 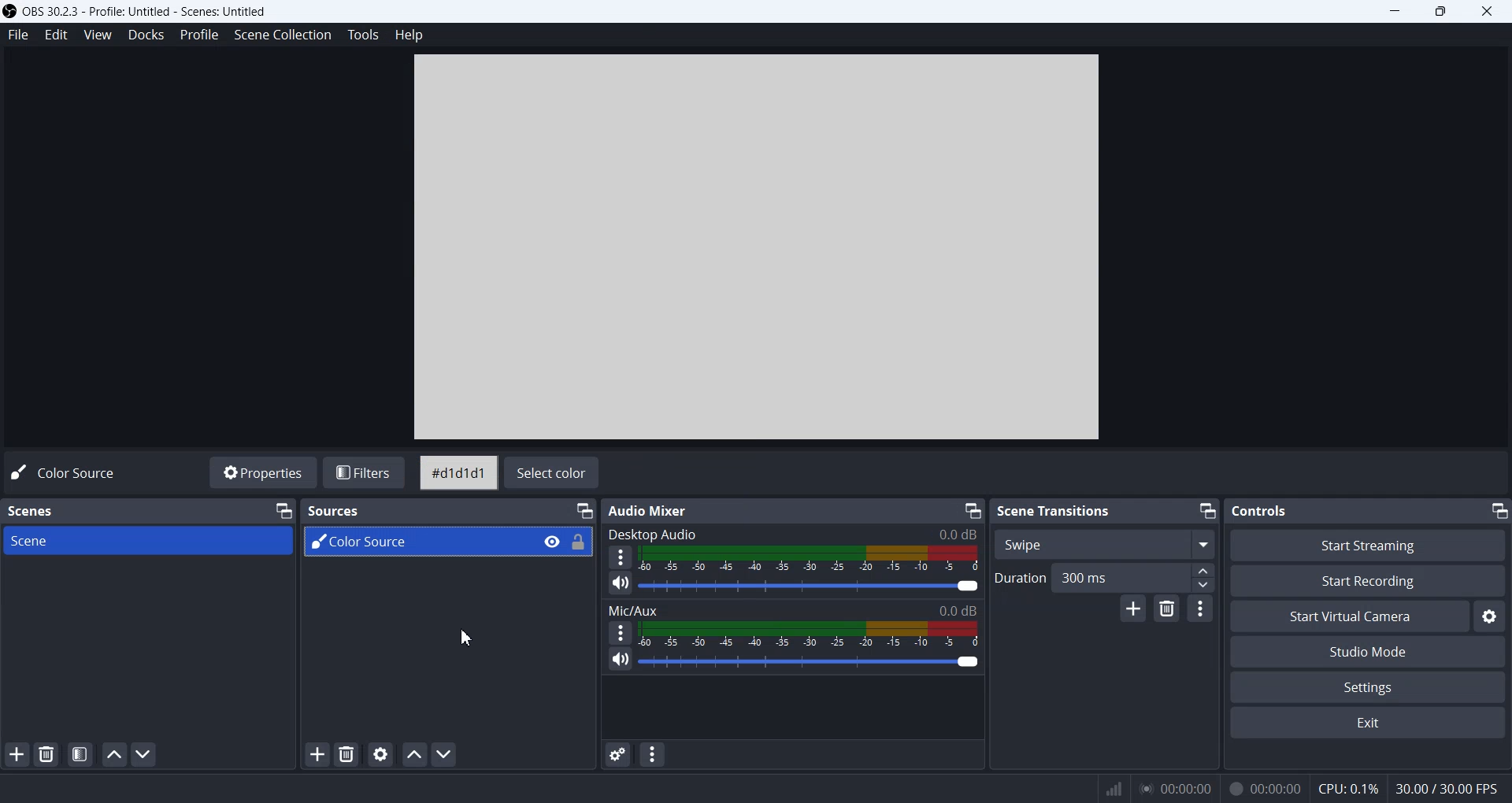 What do you see at coordinates (17, 753) in the screenshot?
I see `Add Scene` at bounding box center [17, 753].